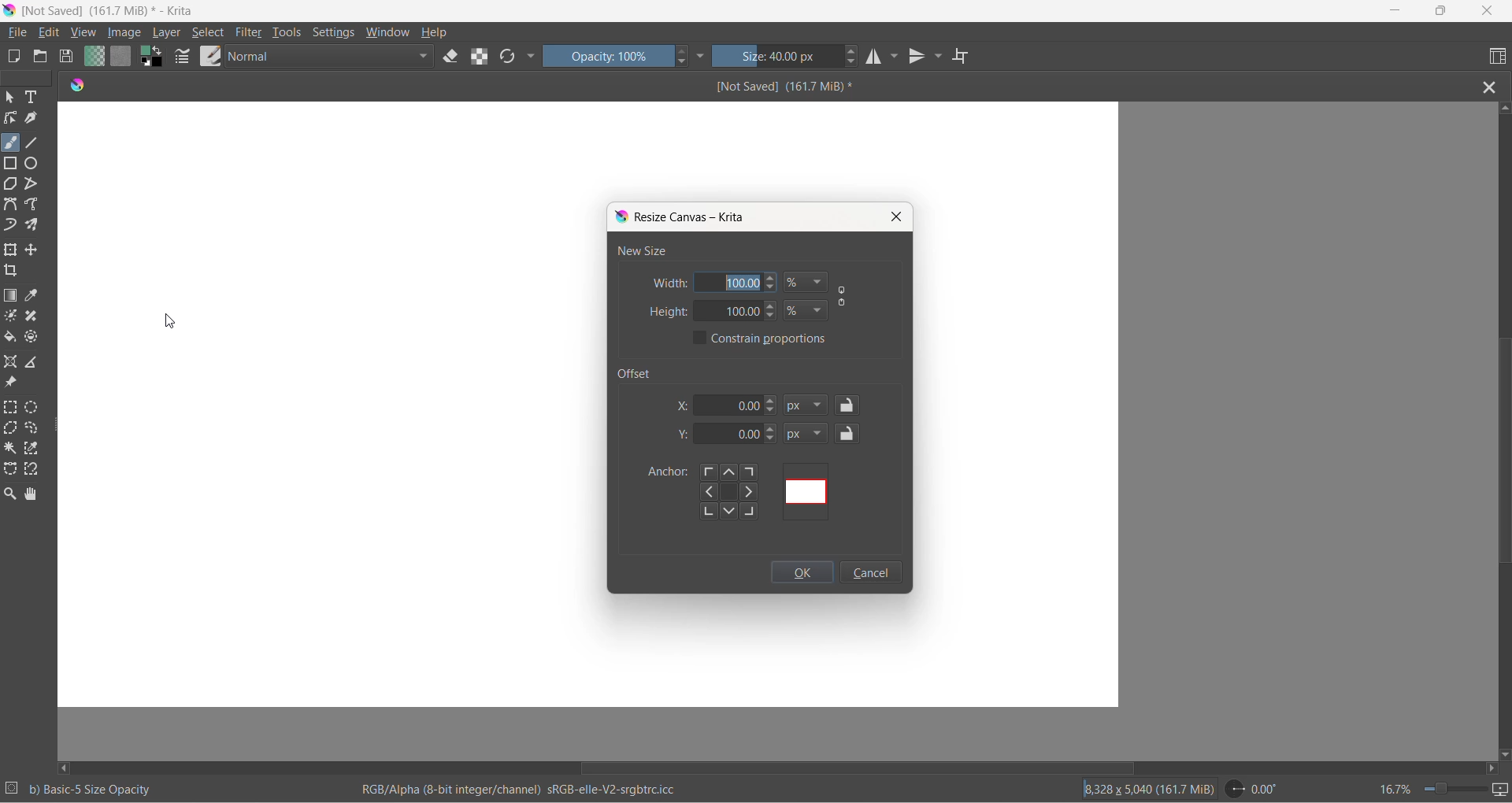 The height and width of the screenshot is (803, 1512). Describe the element at coordinates (939, 58) in the screenshot. I see `vertical mirror setting dropdown button` at that location.